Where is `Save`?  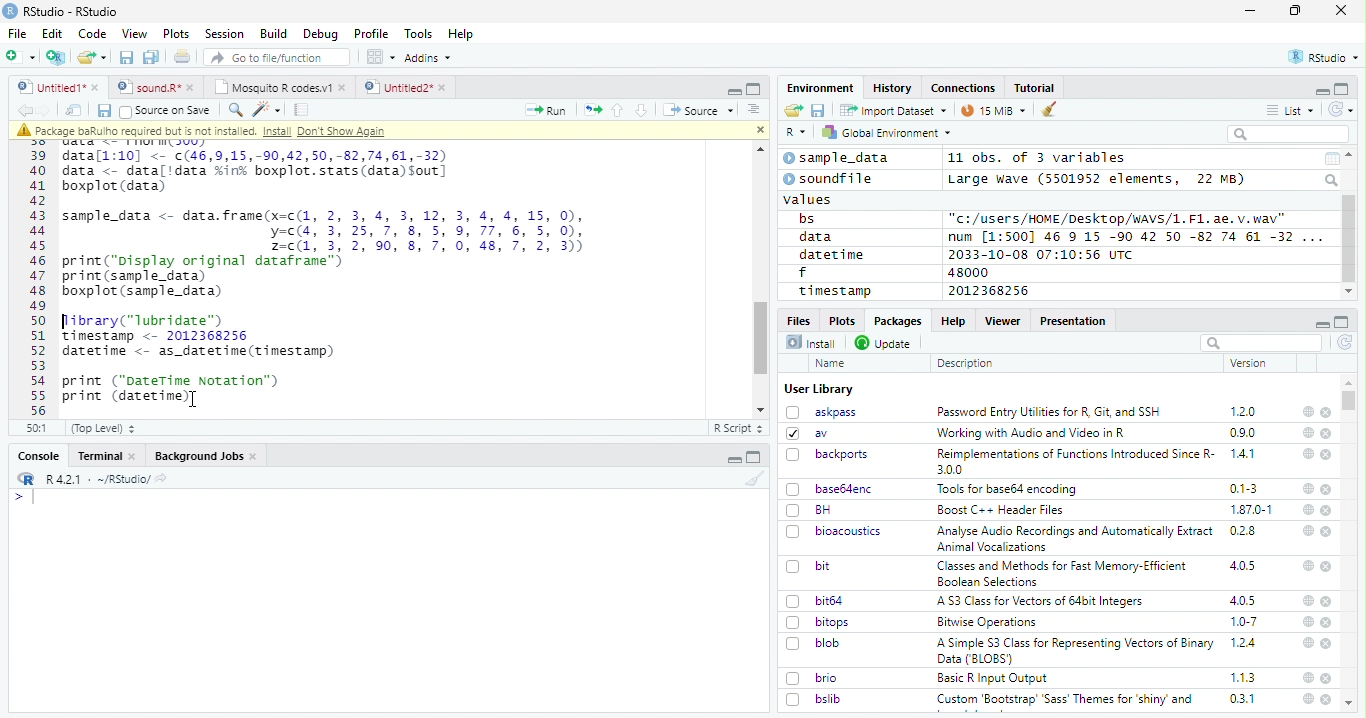
Save is located at coordinates (103, 111).